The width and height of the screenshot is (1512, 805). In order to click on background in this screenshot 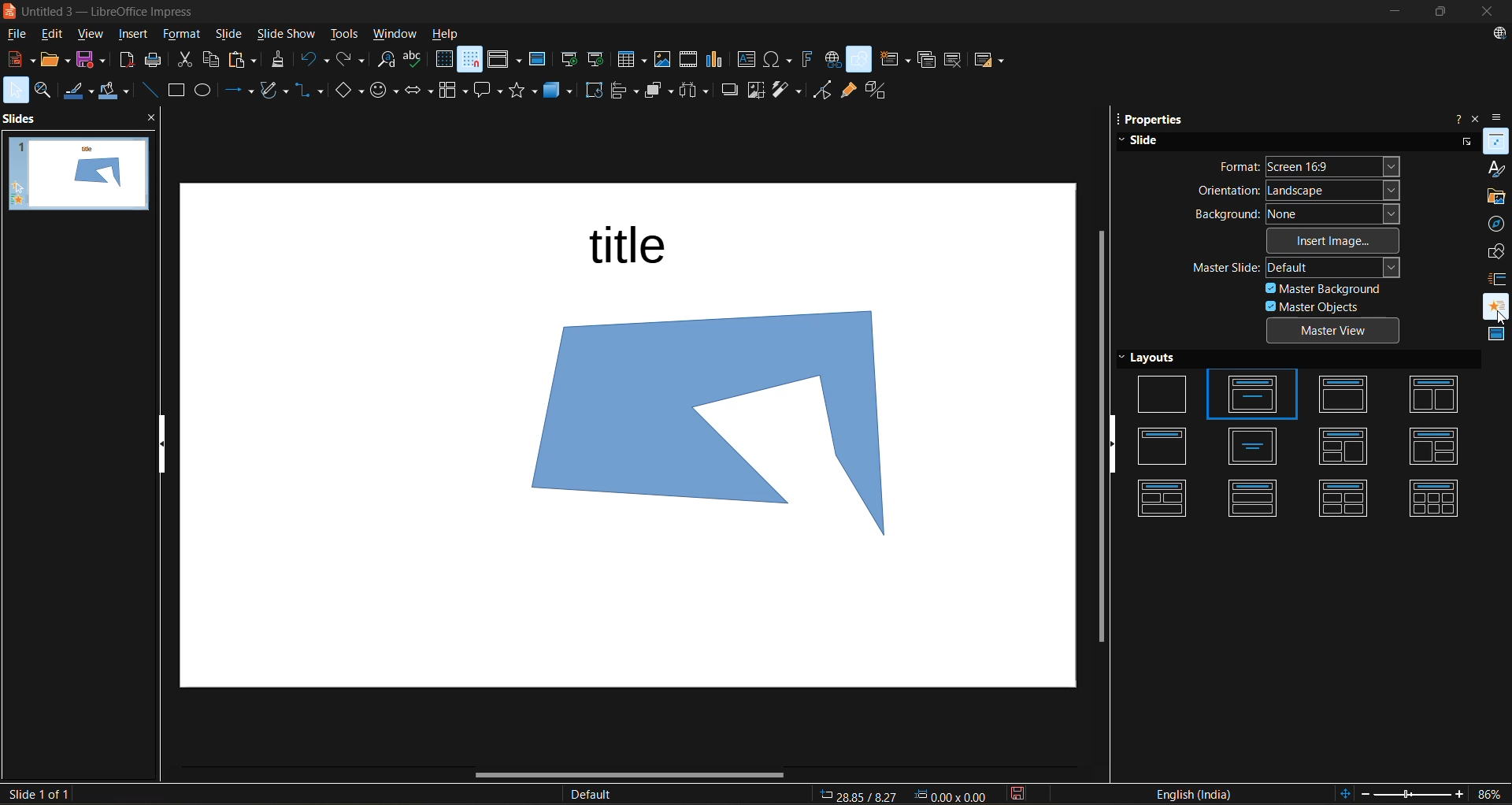, I will do `click(1296, 214)`.